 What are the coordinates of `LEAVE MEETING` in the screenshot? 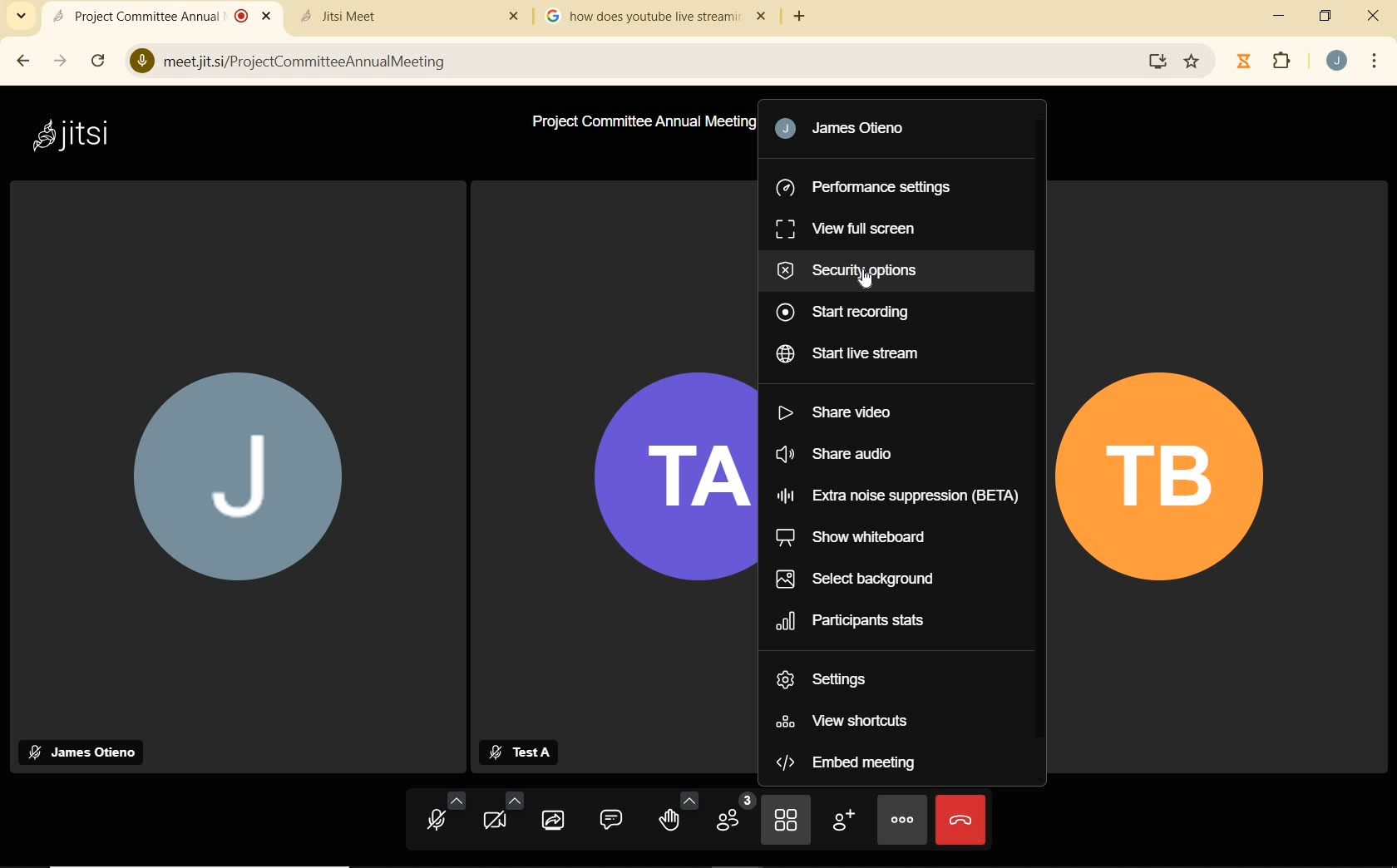 It's located at (962, 819).